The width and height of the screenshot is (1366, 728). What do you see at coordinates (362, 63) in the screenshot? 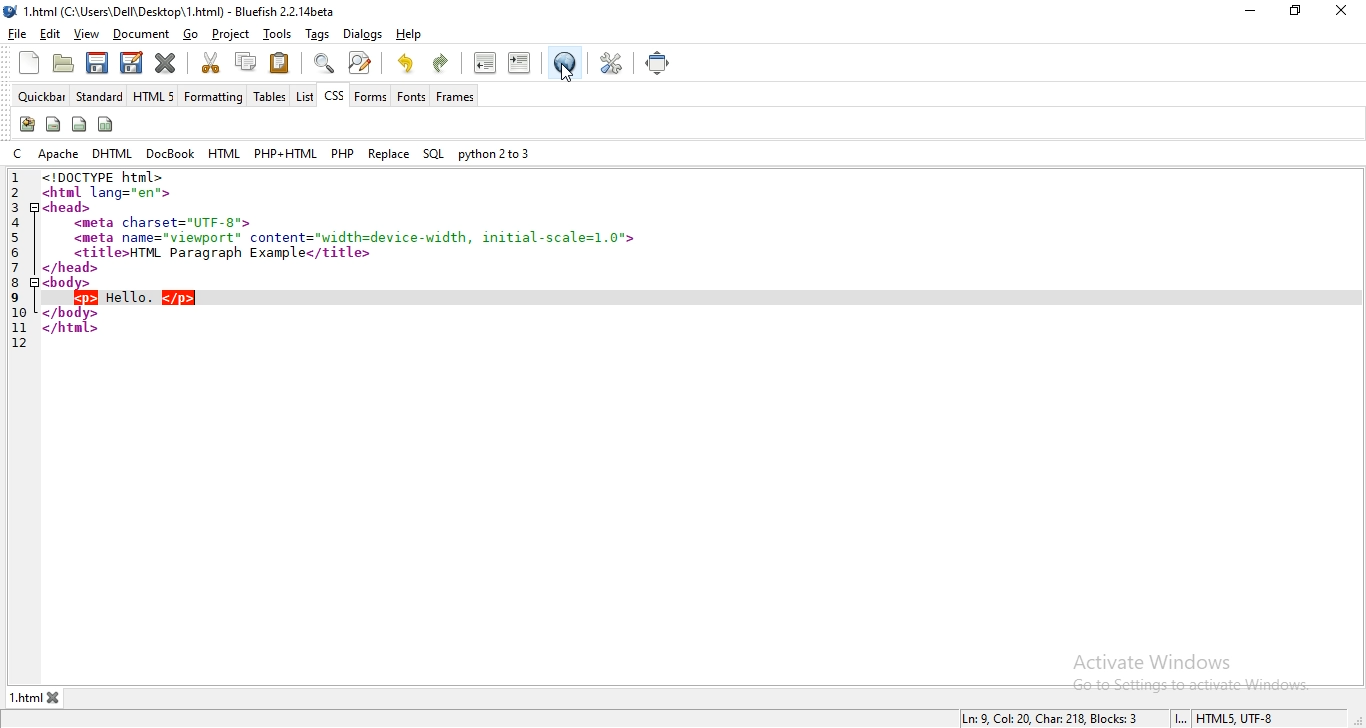
I see `advanced find and replace` at bounding box center [362, 63].